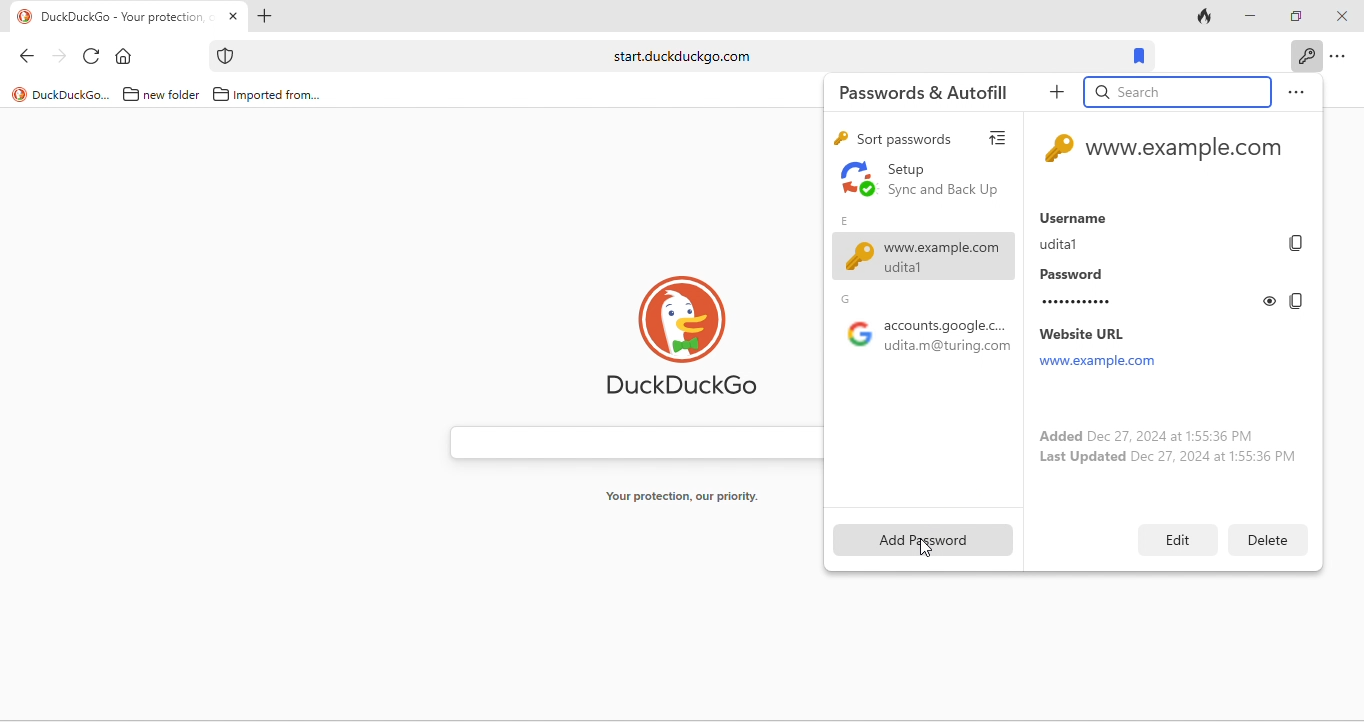  Describe the element at coordinates (849, 300) in the screenshot. I see `g` at that location.